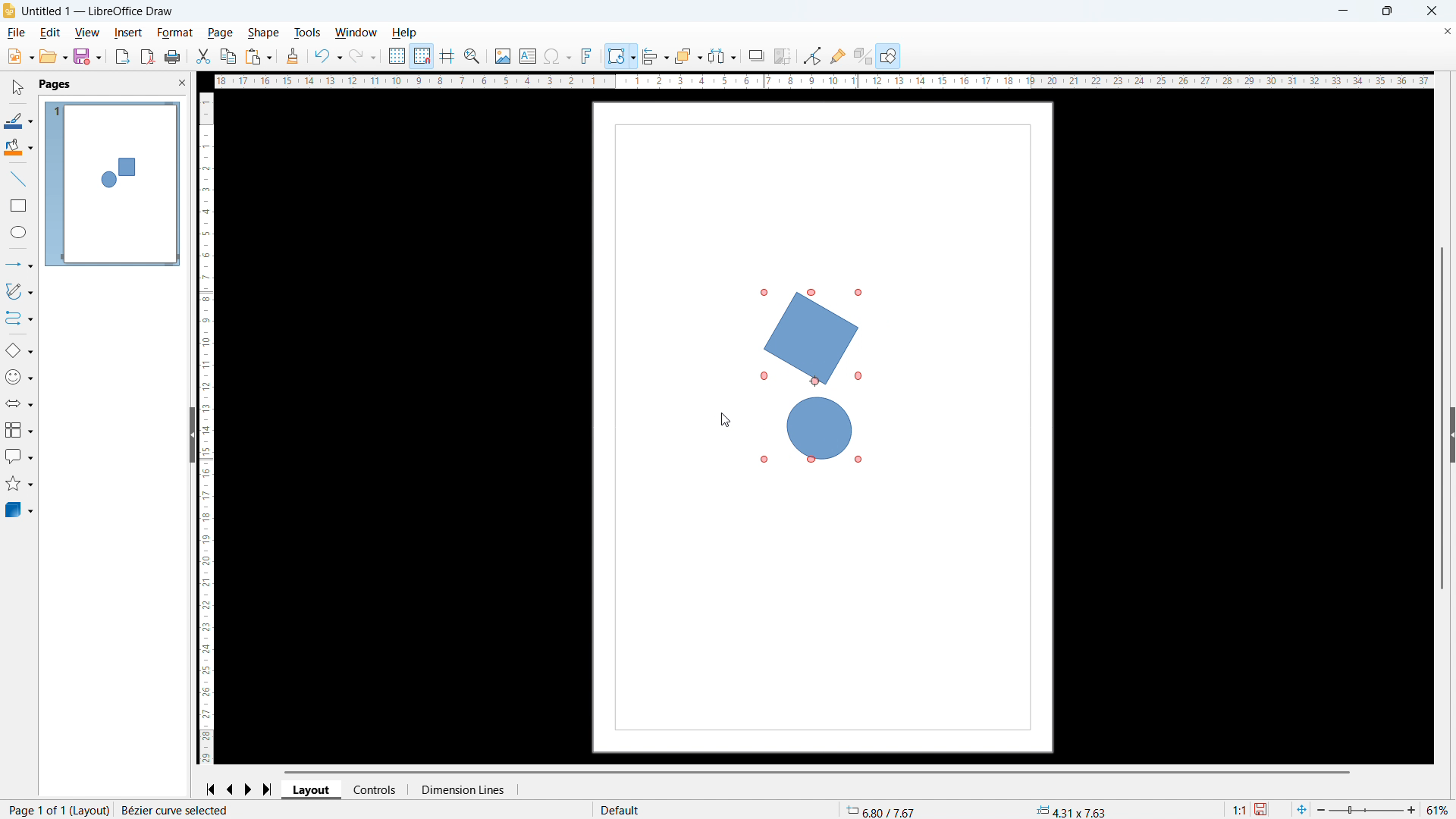 The width and height of the screenshot is (1456, 819). What do you see at coordinates (839, 55) in the screenshot?
I see `Show glue Point functions ` at bounding box center [839, 55].